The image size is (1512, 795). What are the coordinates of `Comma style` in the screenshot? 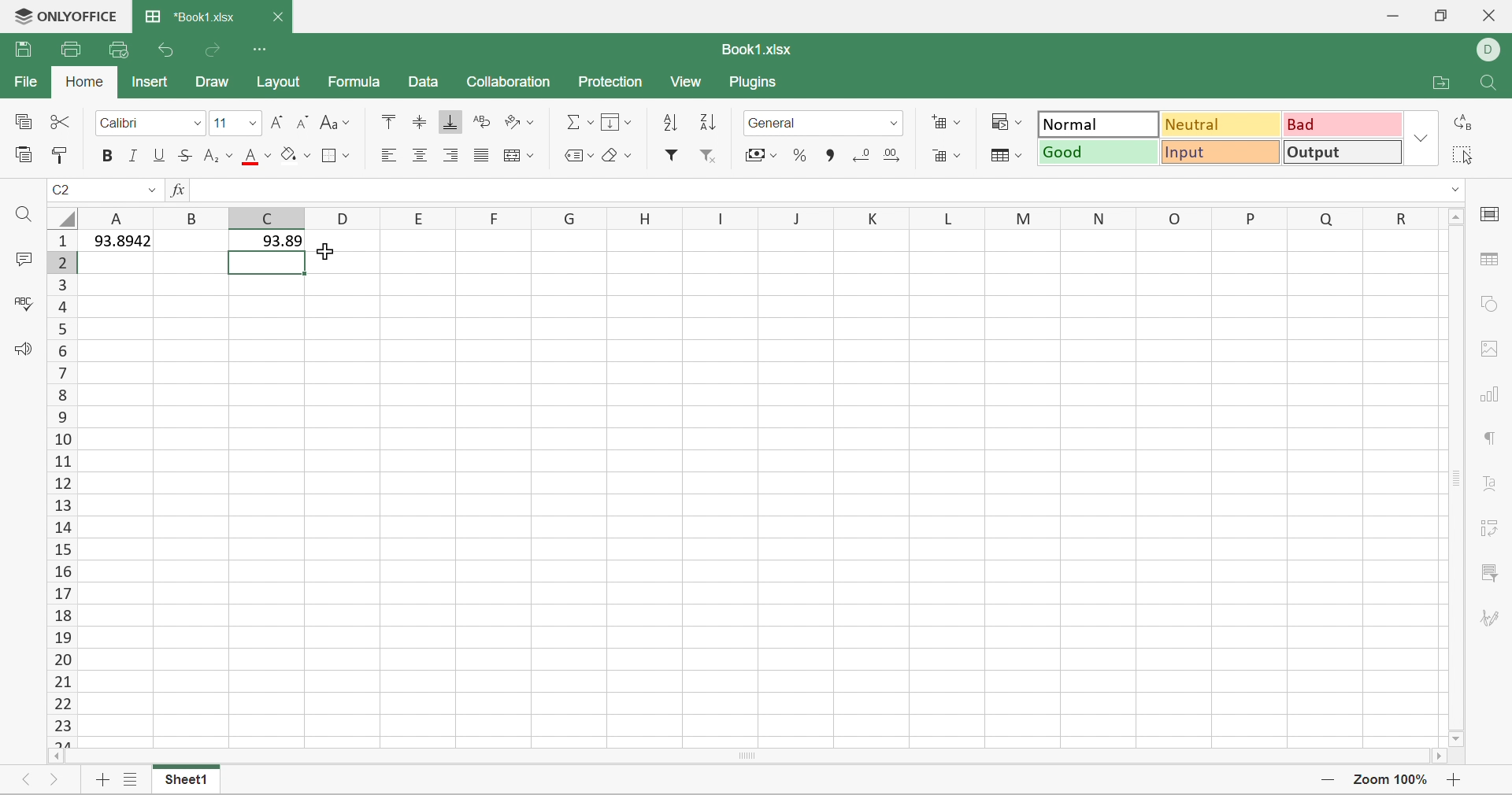 It's located at (827, 154).